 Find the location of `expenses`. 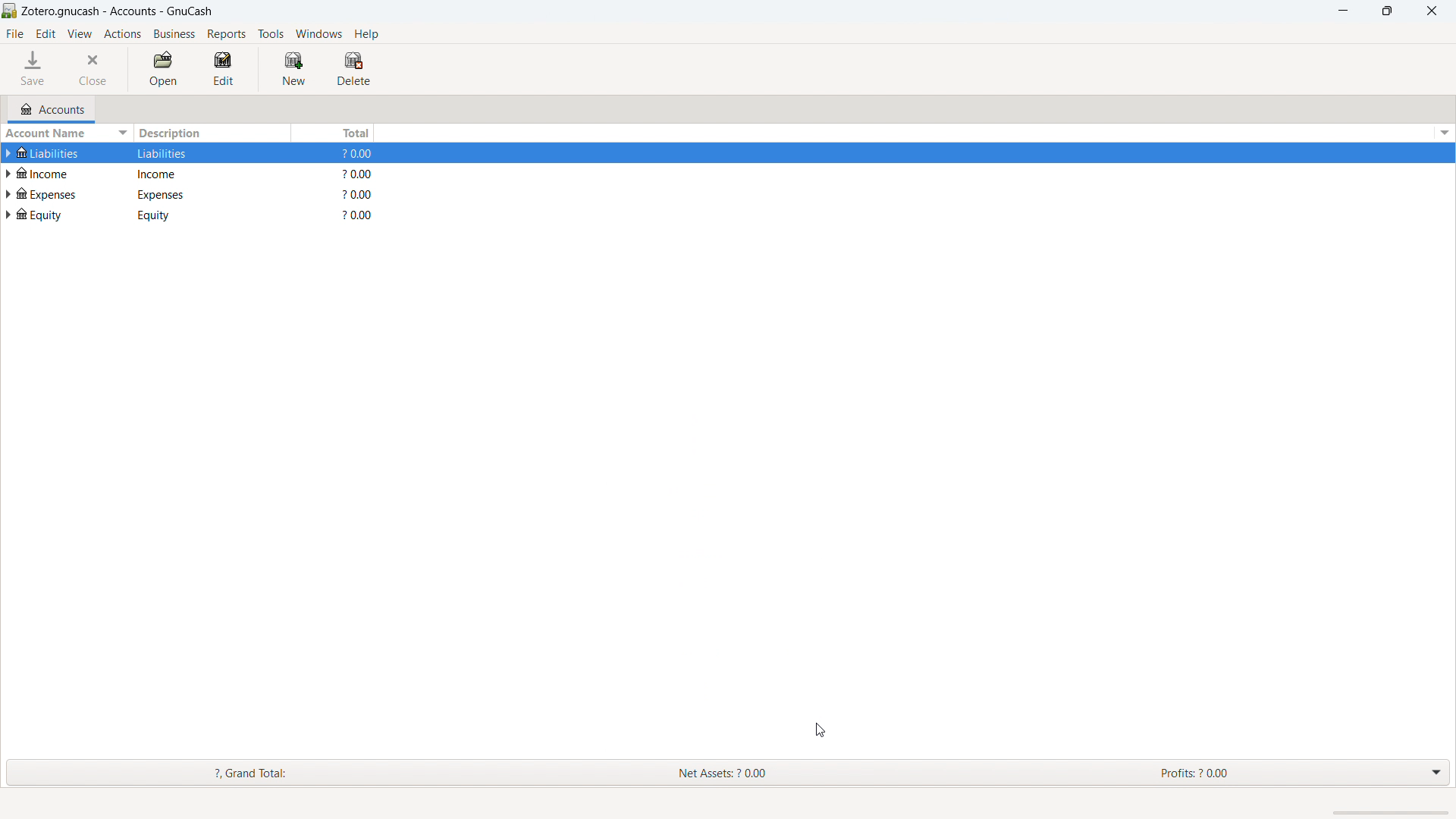

expenses is located at coordinates (54, 192).